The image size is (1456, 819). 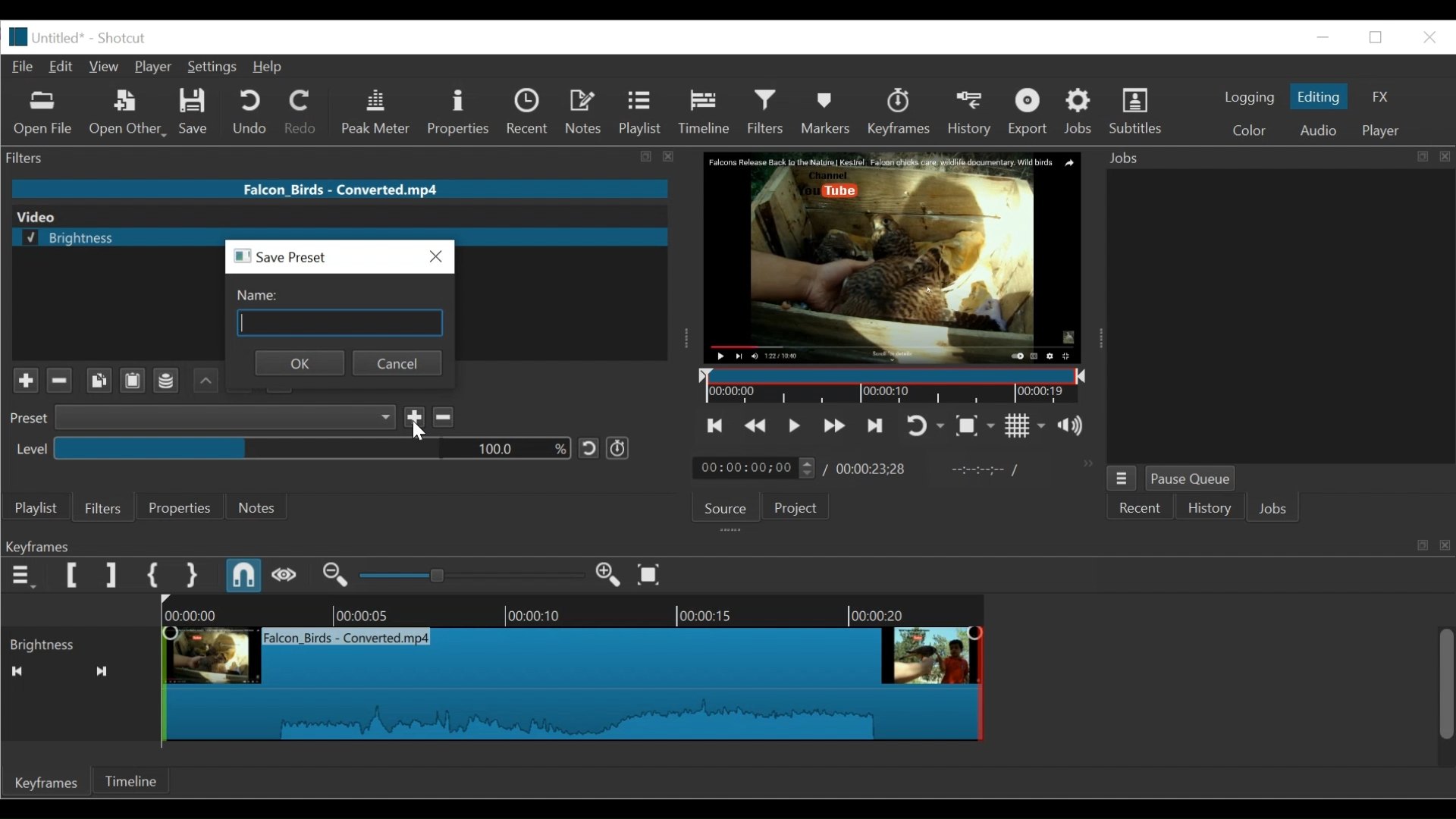 I want to click on minimize, so click(x=1376, y=37).